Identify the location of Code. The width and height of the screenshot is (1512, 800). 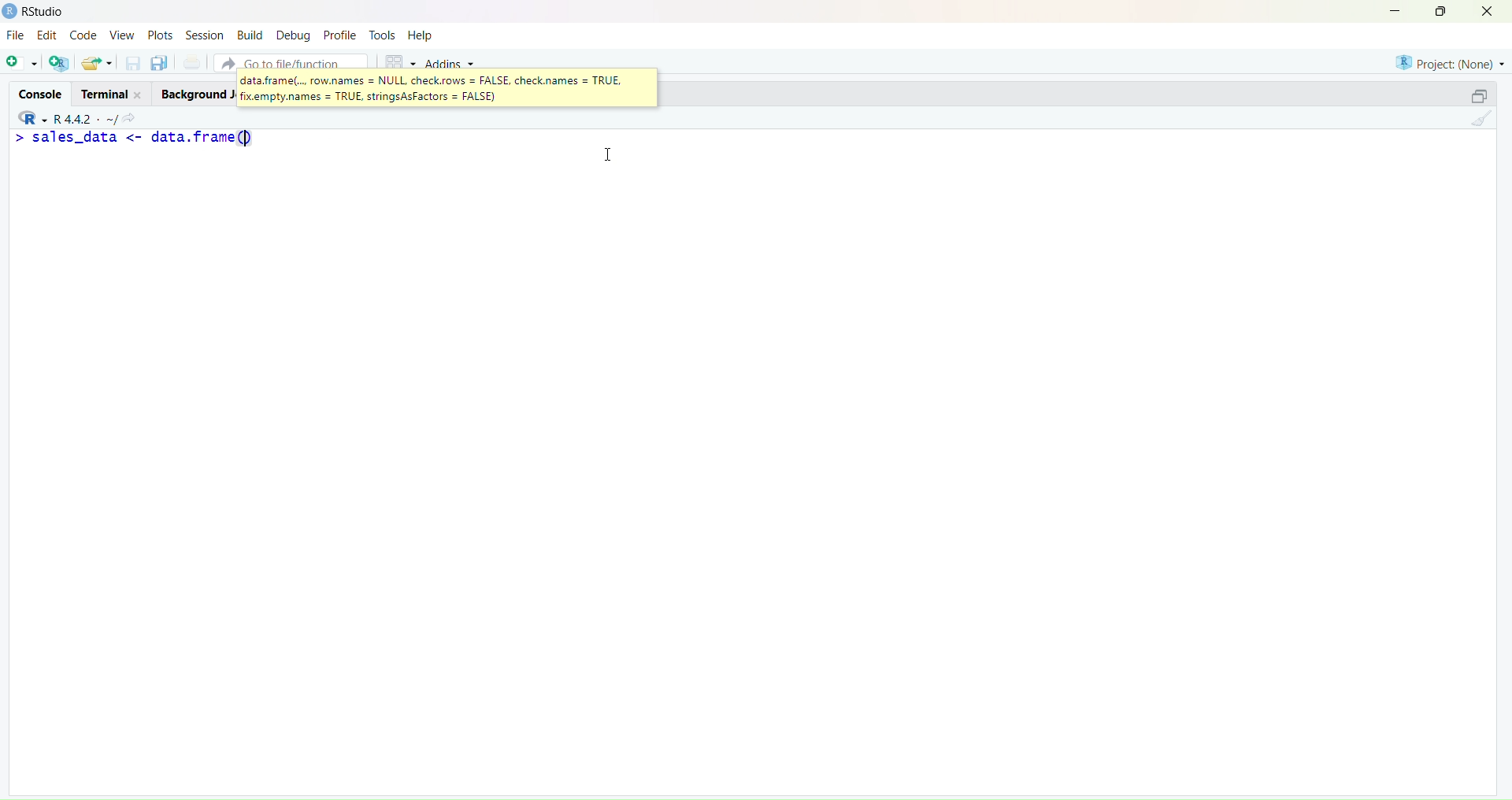
(84, 35).